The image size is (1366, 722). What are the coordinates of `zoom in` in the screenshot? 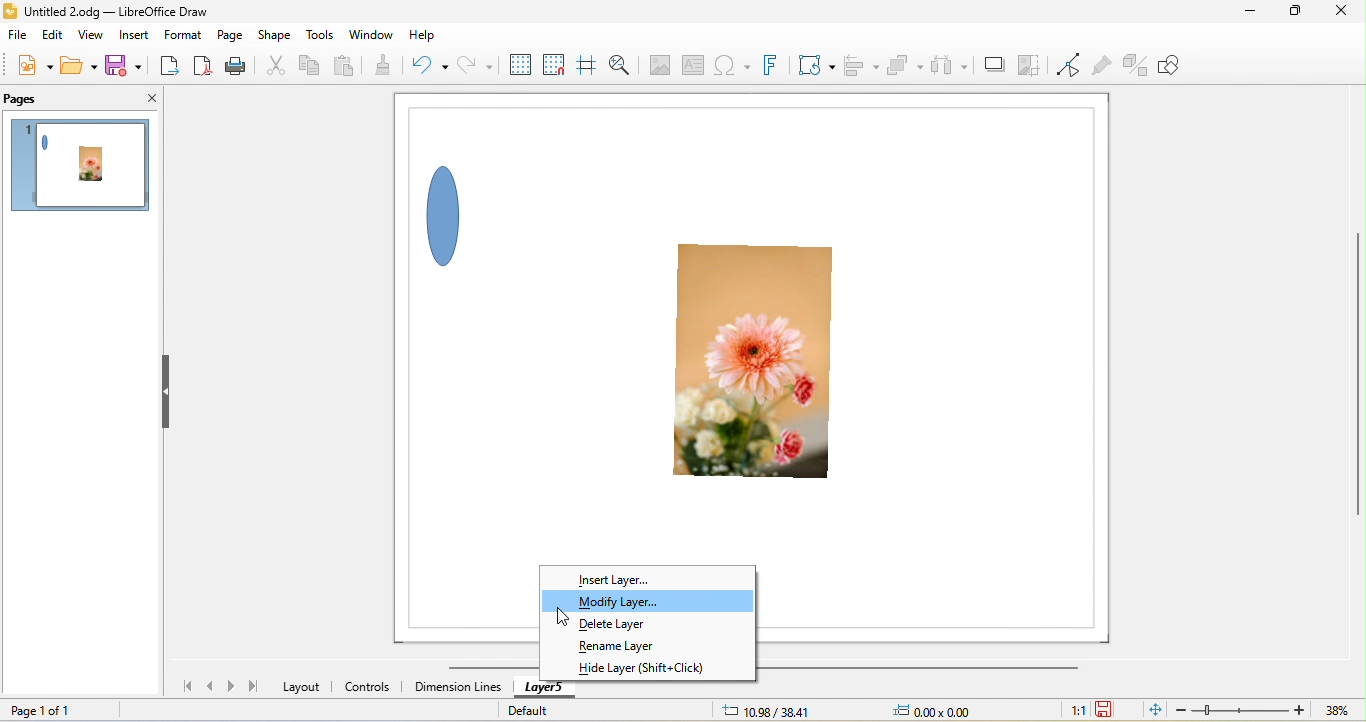 It's located at (1300, 709).